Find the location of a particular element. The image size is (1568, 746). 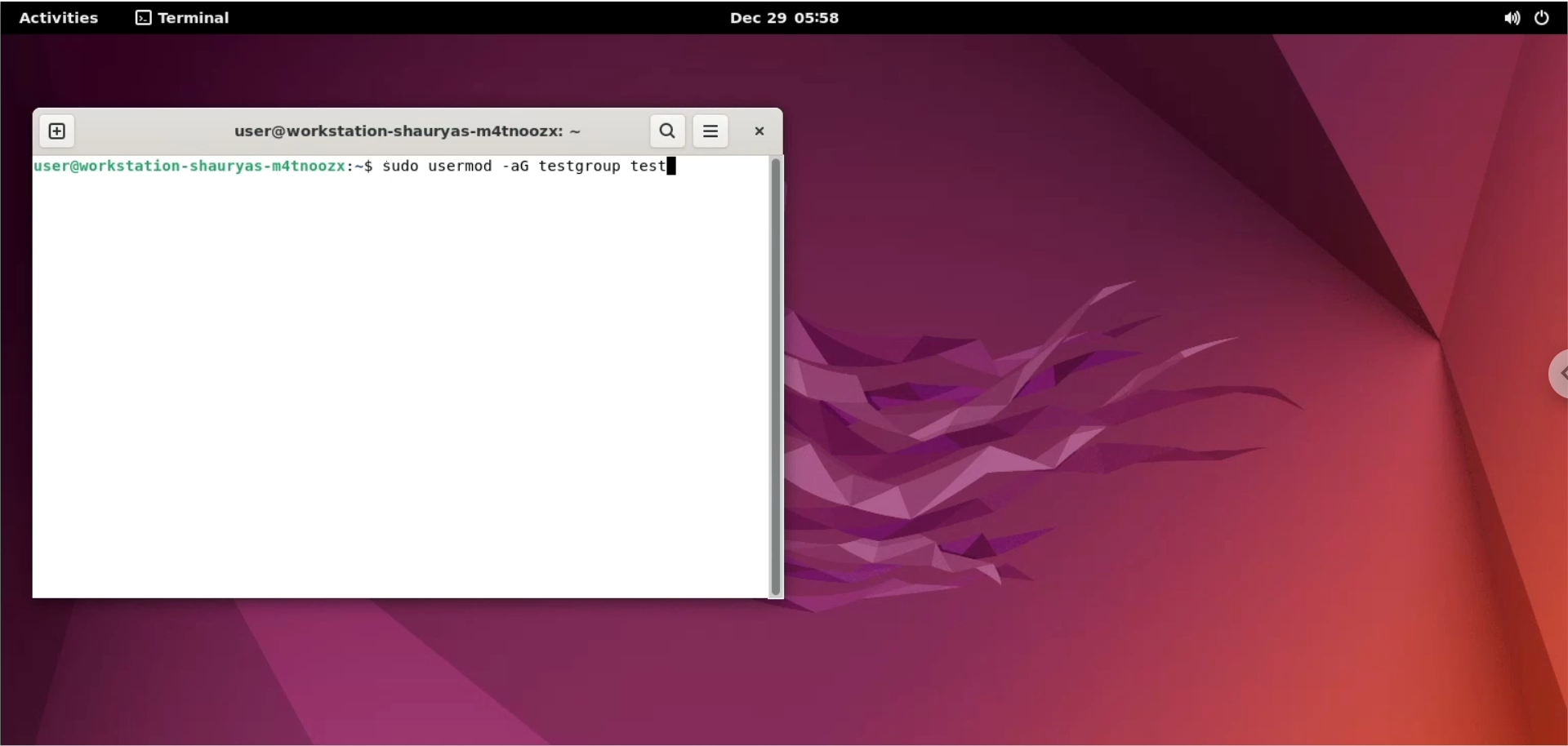

scrollbar navigation is located at coordinates (781, 378).